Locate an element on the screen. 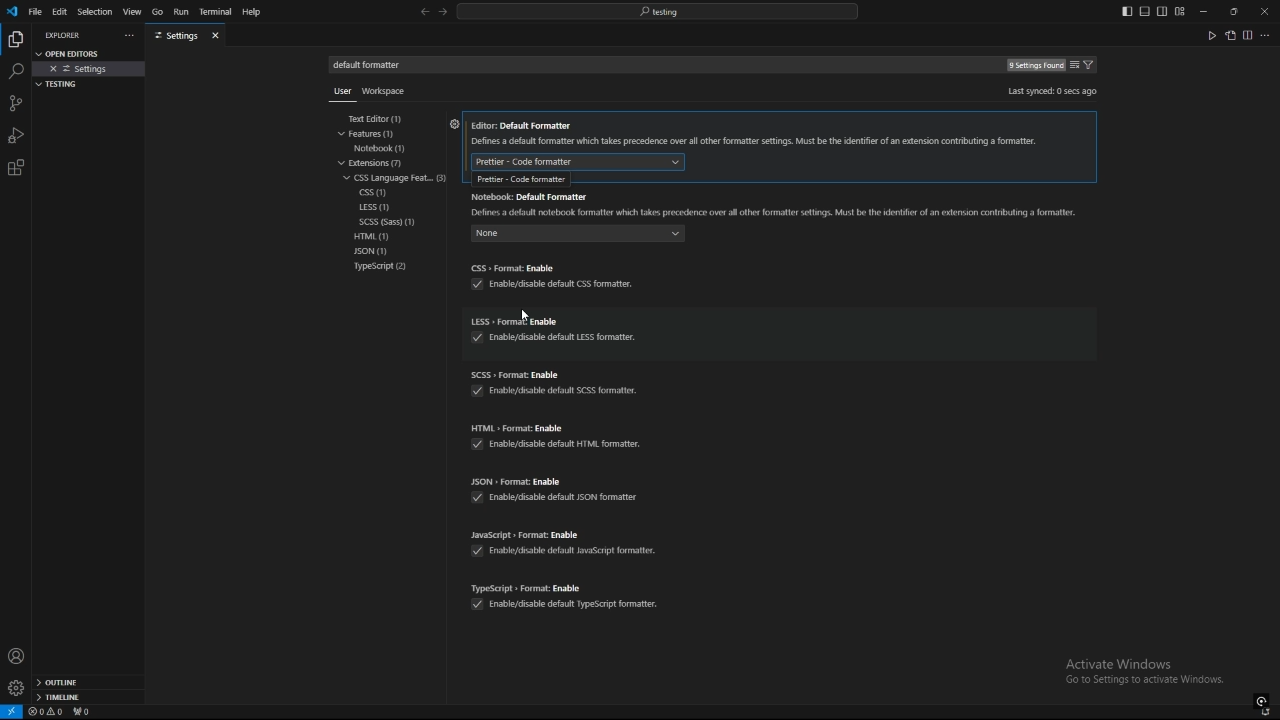 This screenshot has width=1280, height=720. back is located at coordinates (424, 12).